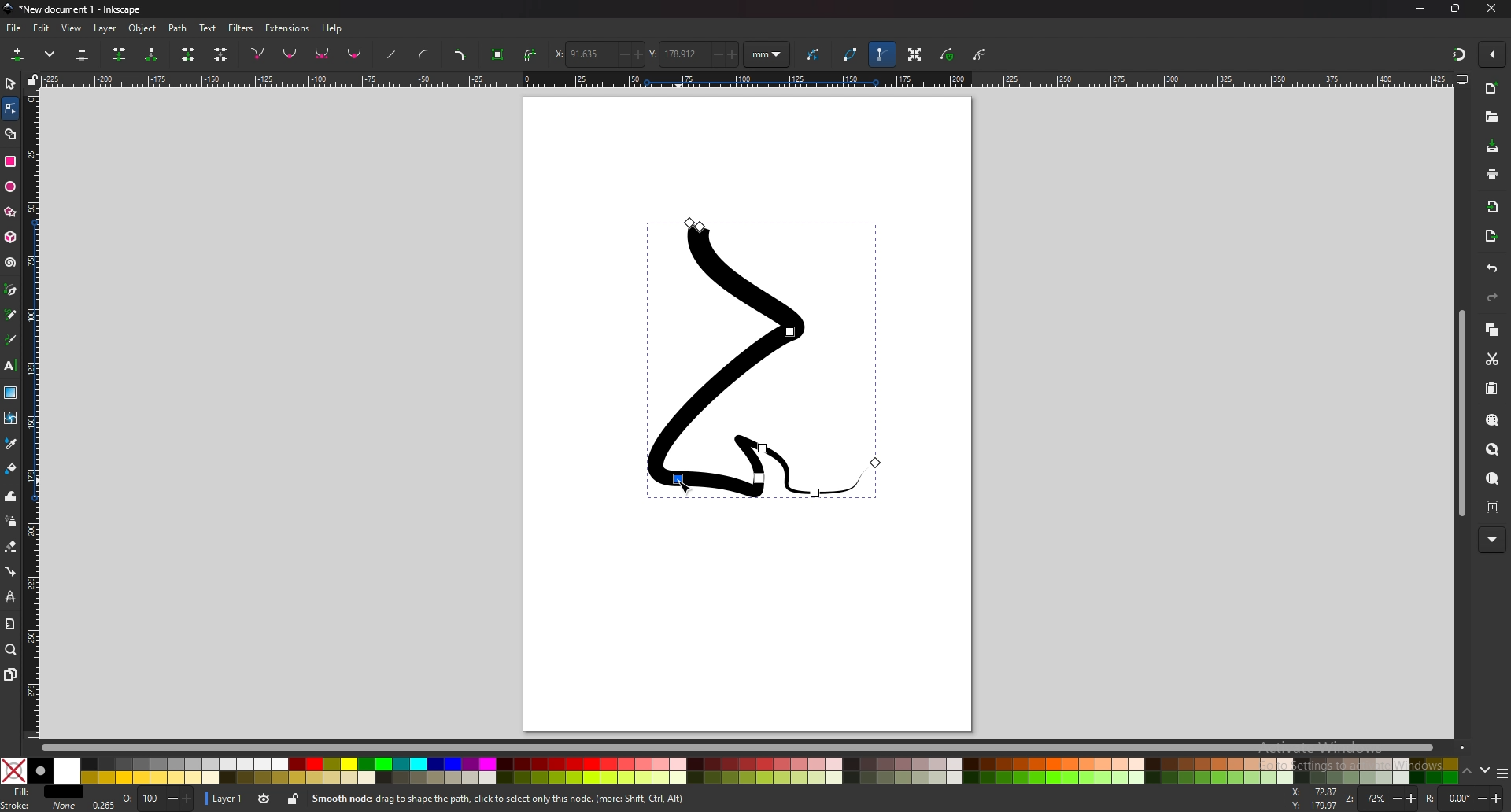 This screenshot has width=1511, height=812. What do you see at coordinates (1493, 420) in the screenshot?
I see `zoom selection` at bounding box center [1493, 420].